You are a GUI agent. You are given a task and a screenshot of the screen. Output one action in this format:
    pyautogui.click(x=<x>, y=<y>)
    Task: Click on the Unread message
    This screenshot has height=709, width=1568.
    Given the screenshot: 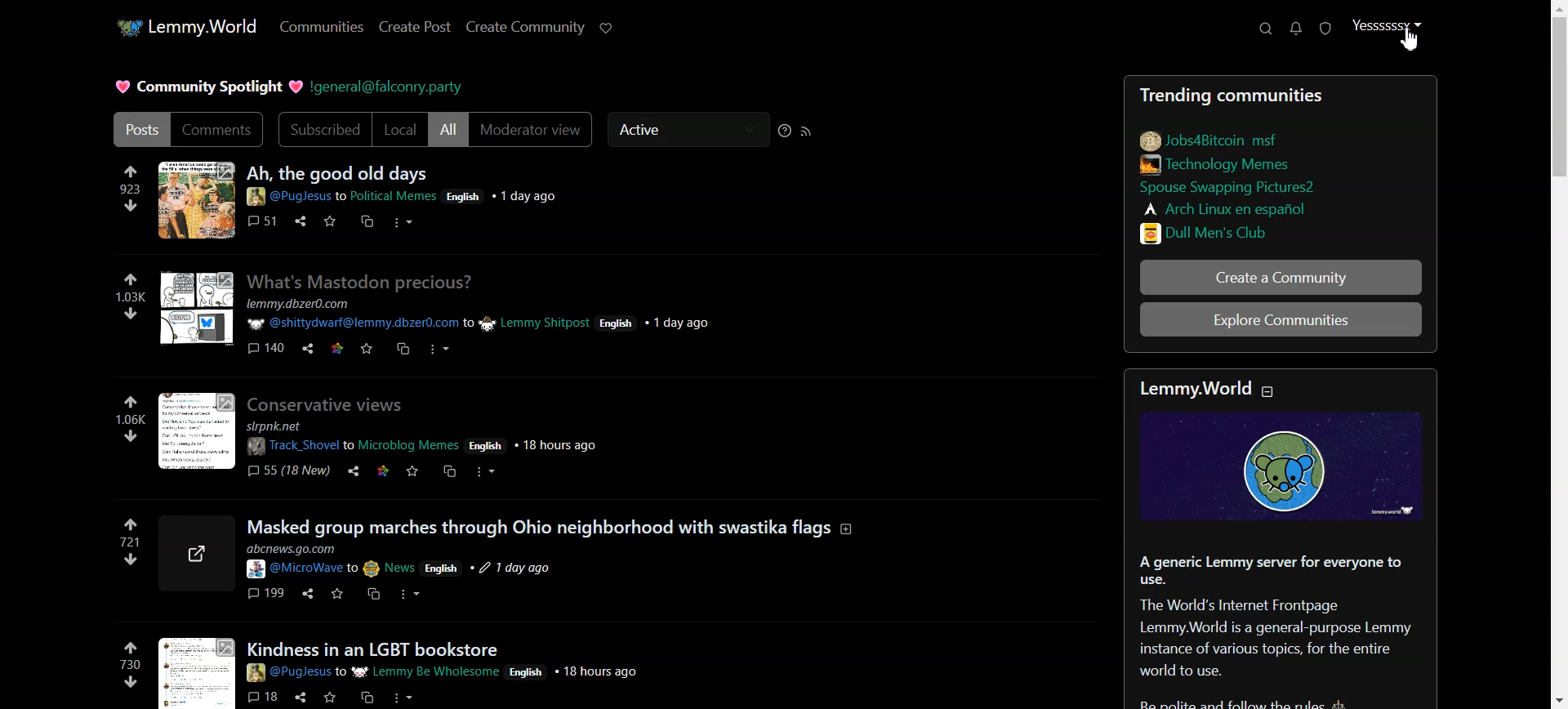 What is the action you would take?
    pyautogui.click(x=1296, y=28)
    